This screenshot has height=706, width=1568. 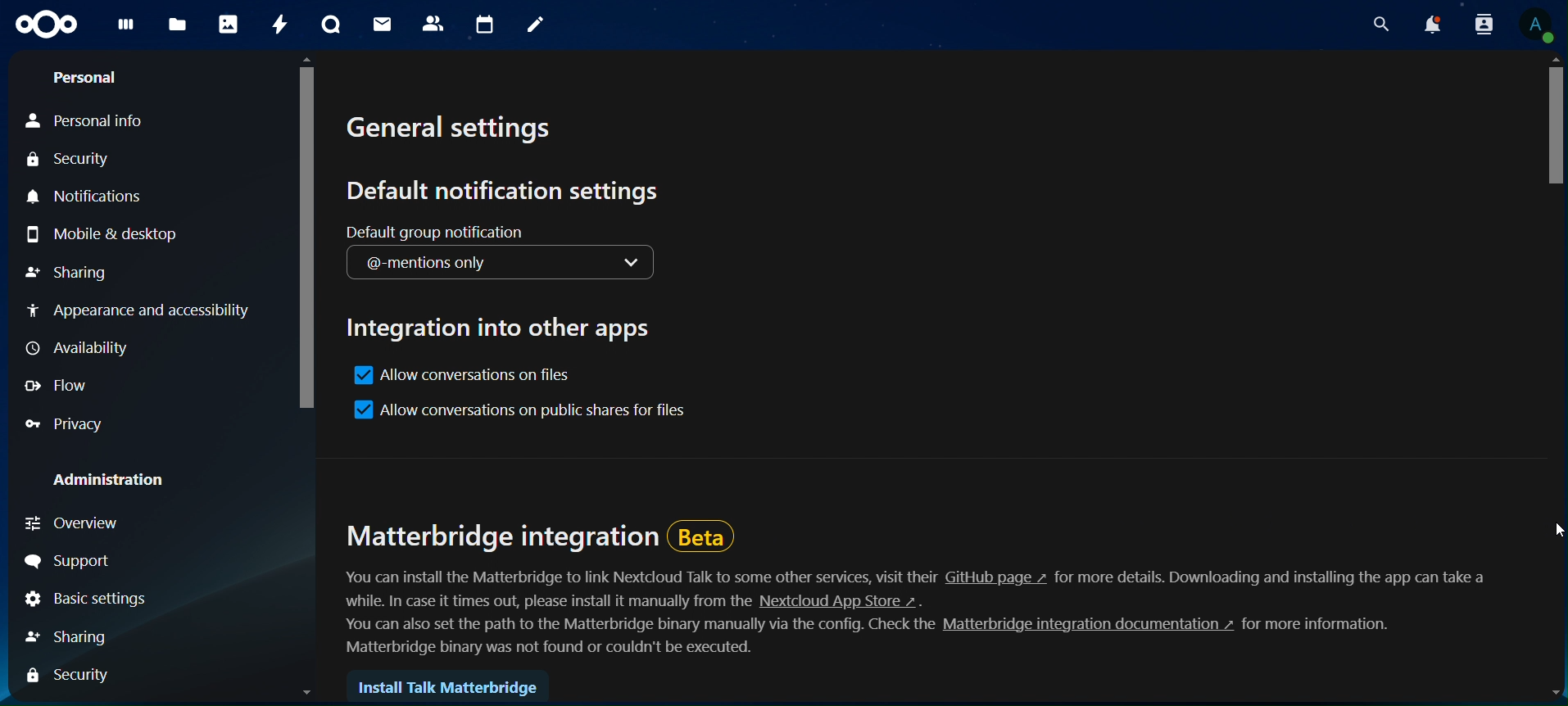 What do you see at coordinates (533, 409) in the screenshot?
I see `allow conversation on public shares for files` at bounding box center [533, 409].